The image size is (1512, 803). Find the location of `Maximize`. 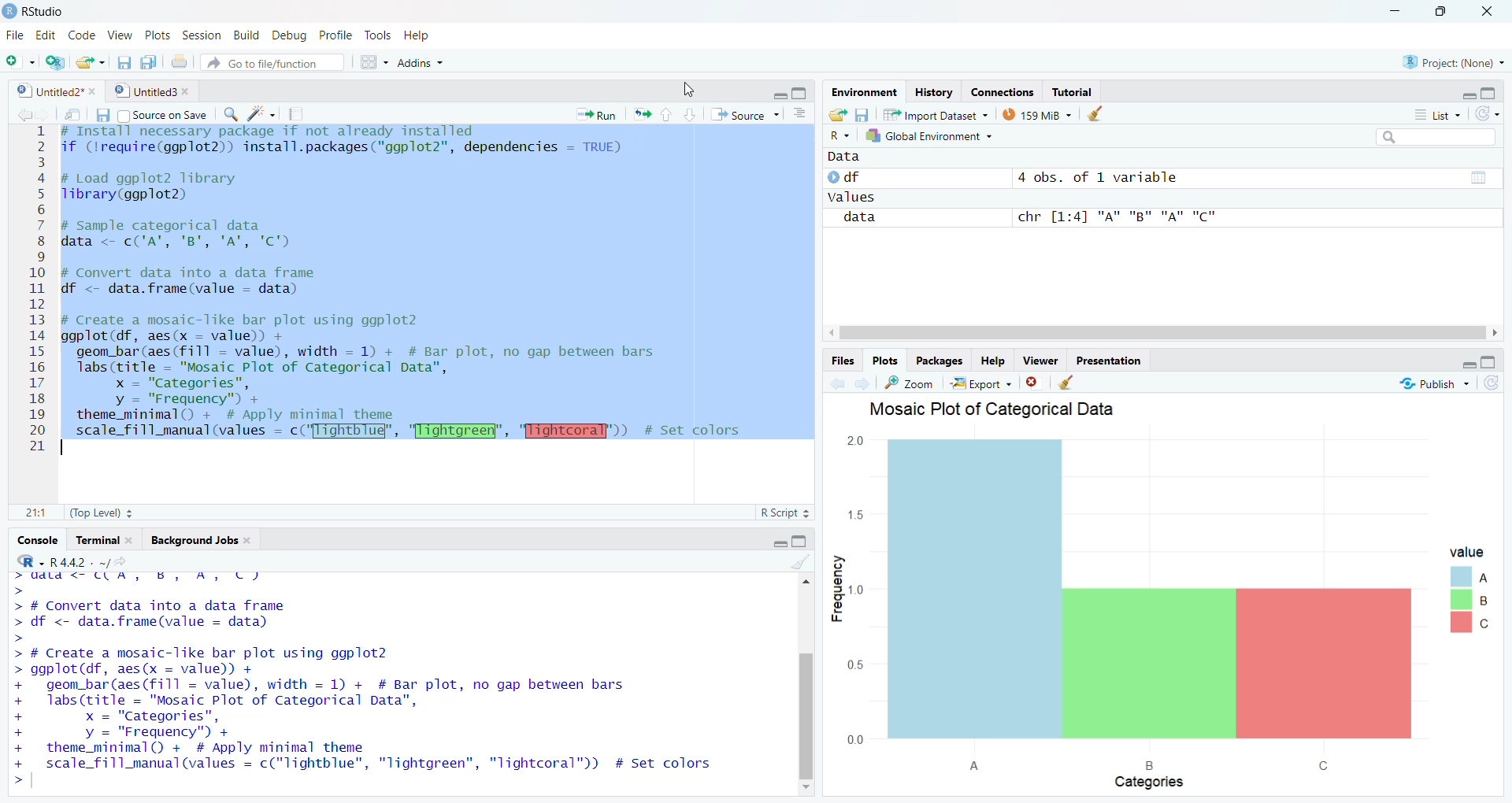

Maximize is located at coordinates (802, 541).